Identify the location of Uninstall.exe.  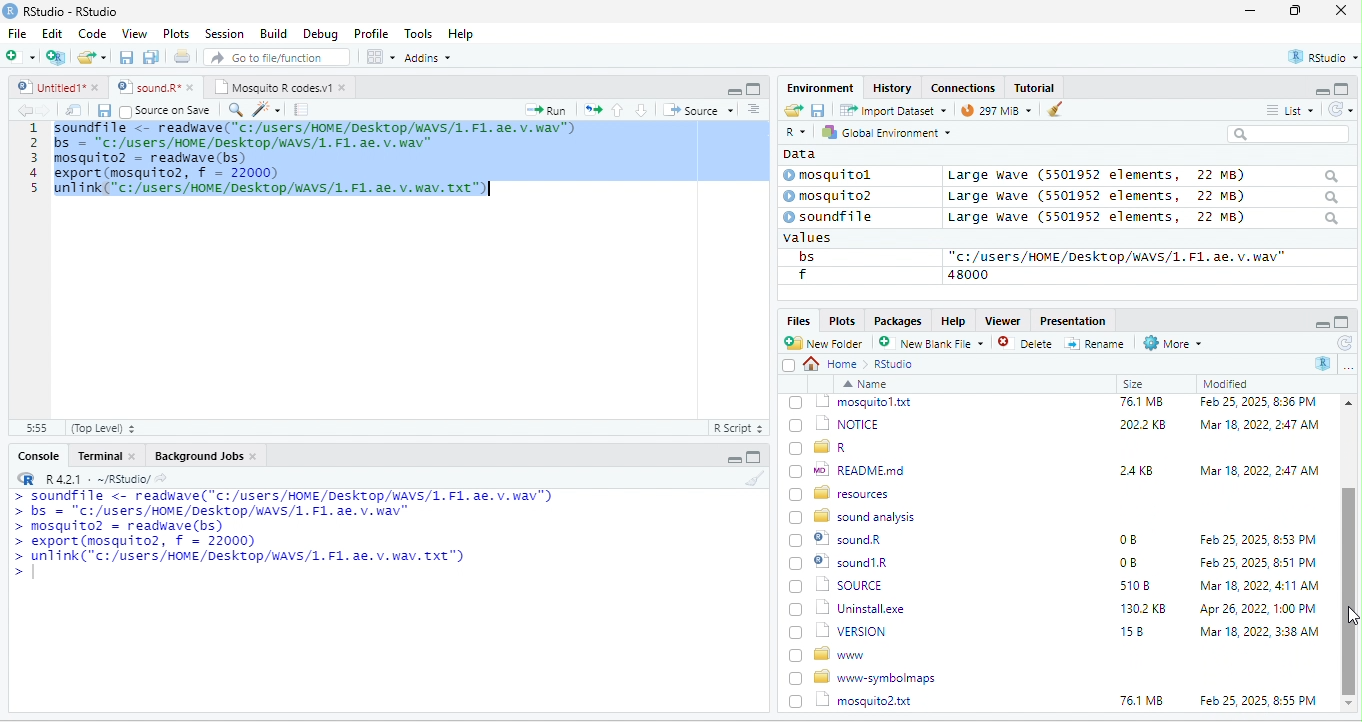
(849, 703).